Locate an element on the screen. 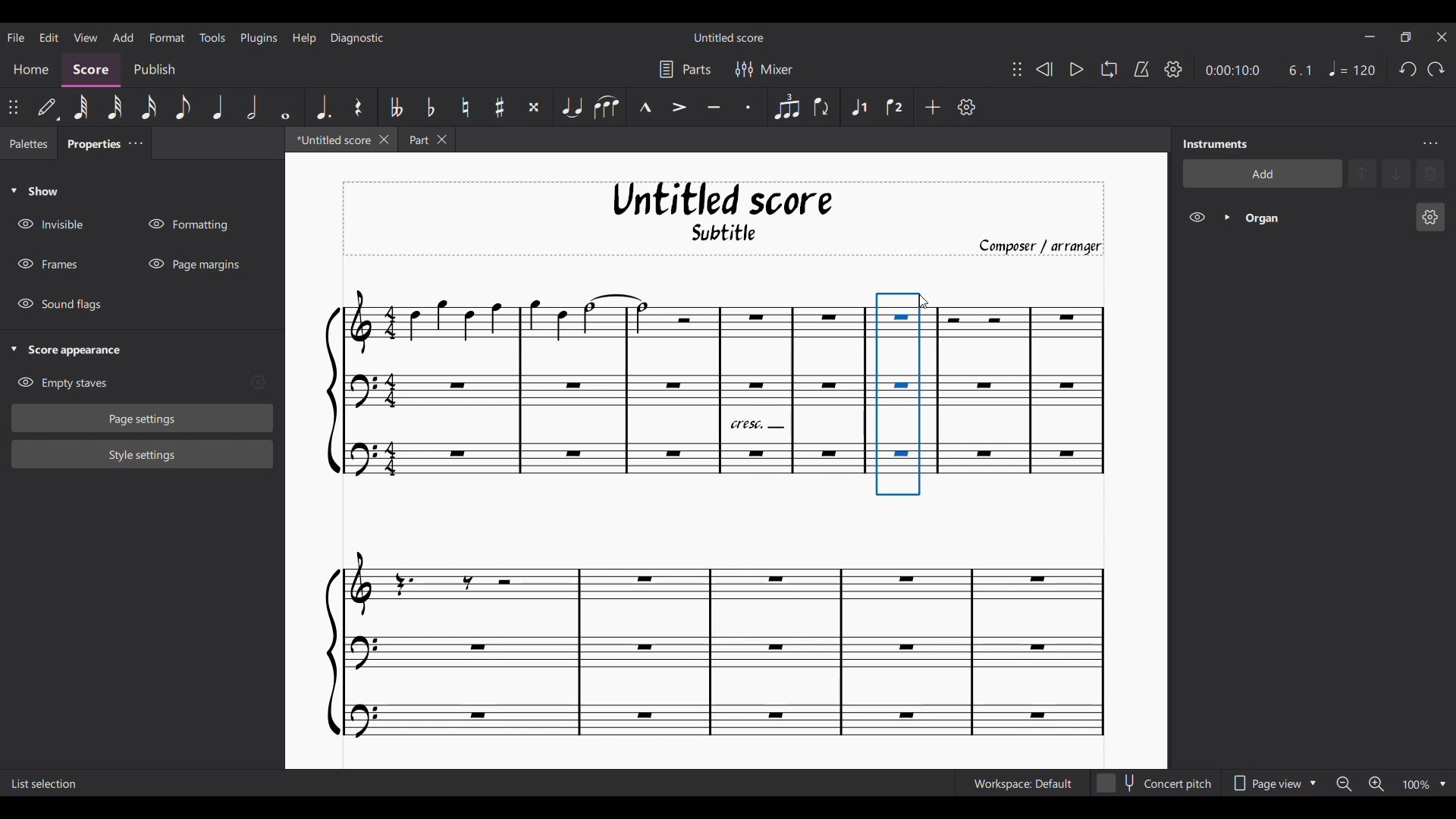  Toggle sharp is located at coordinates (499, 108).